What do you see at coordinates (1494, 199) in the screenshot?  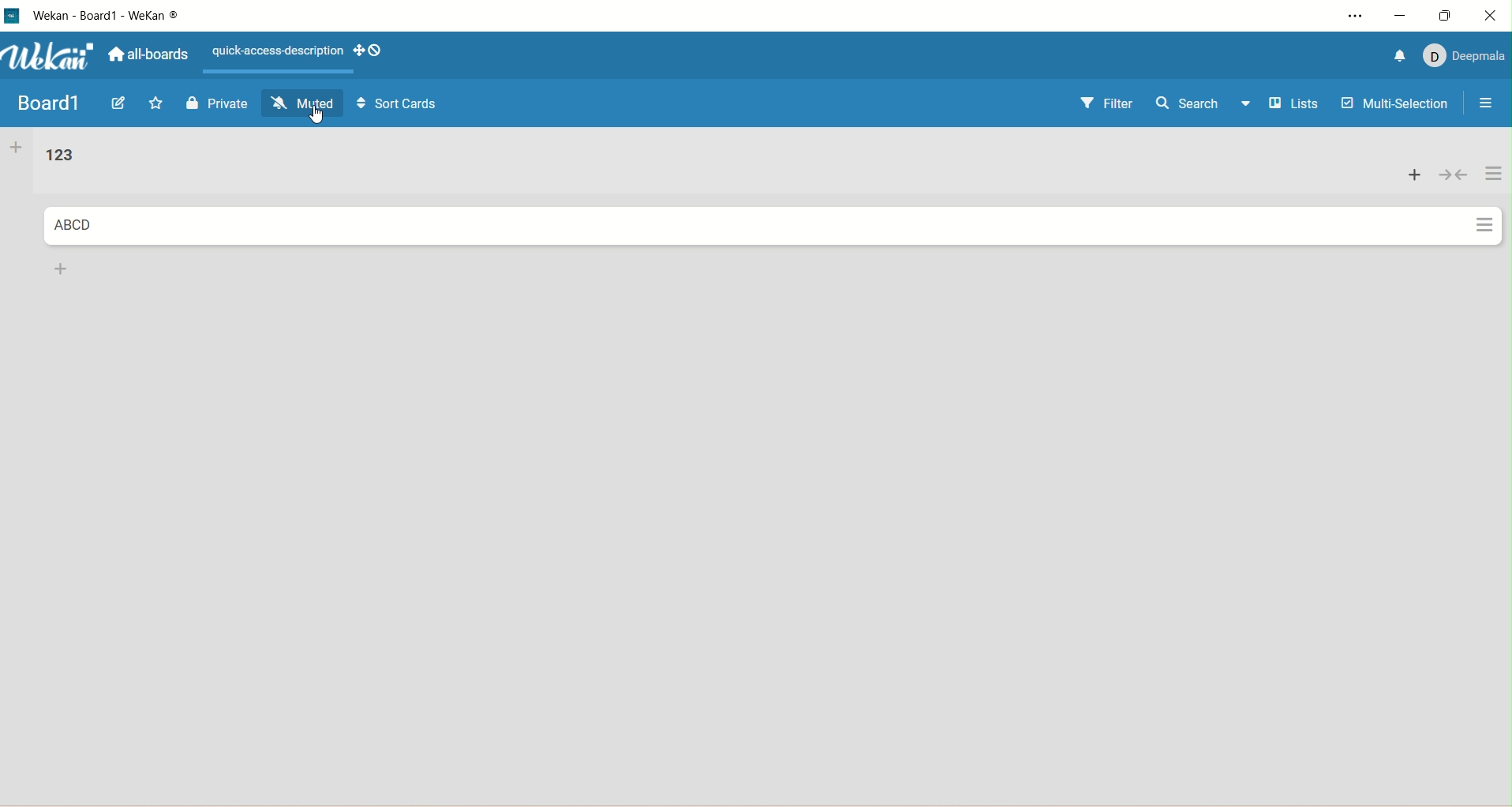 I see `options` at bounding box center [1494, 199].